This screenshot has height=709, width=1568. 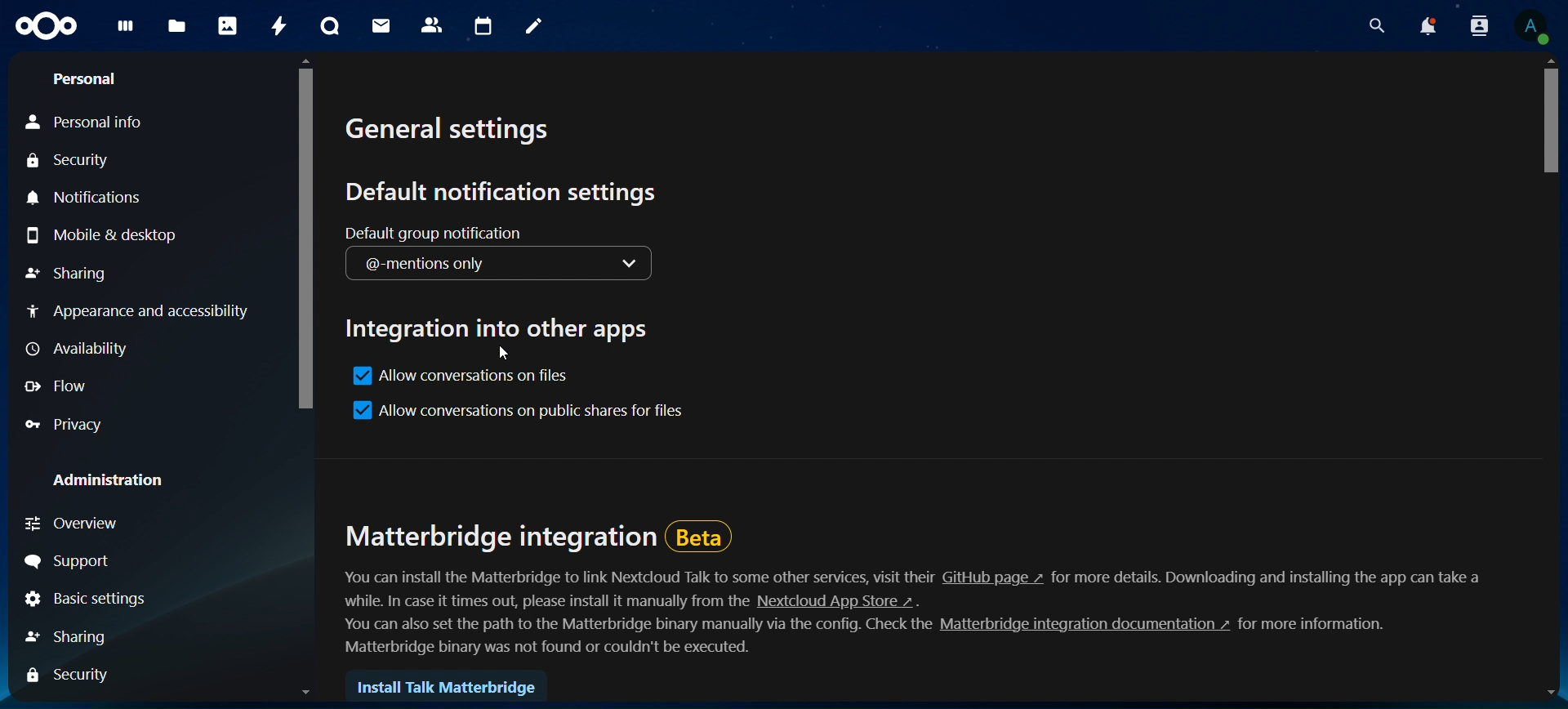 What do you see at coordinates (94, 526) in the screenshot?
I see `overview` at bounding box center [94, 526].